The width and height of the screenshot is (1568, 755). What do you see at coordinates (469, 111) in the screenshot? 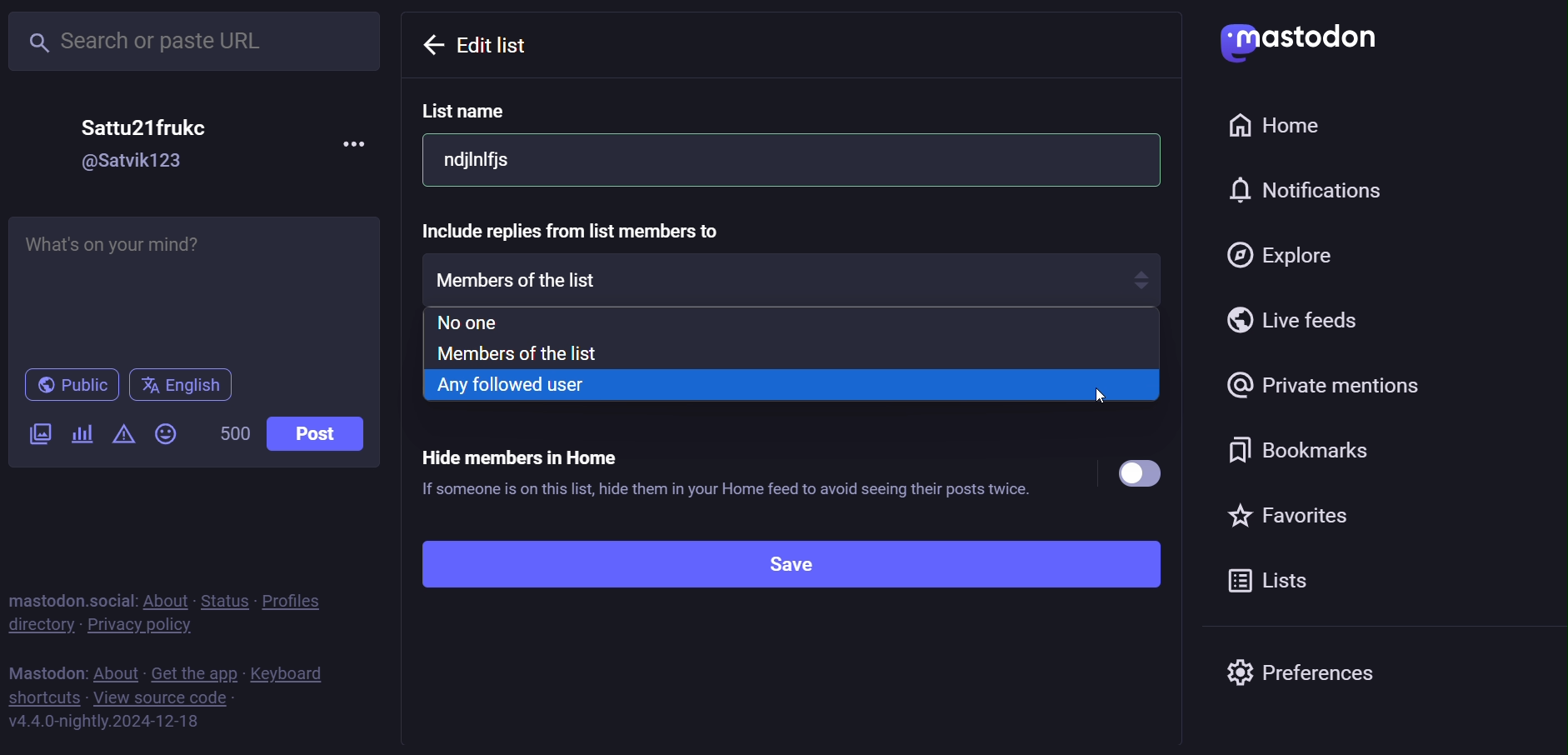
I see `list name` at bounding box center [469, 111].